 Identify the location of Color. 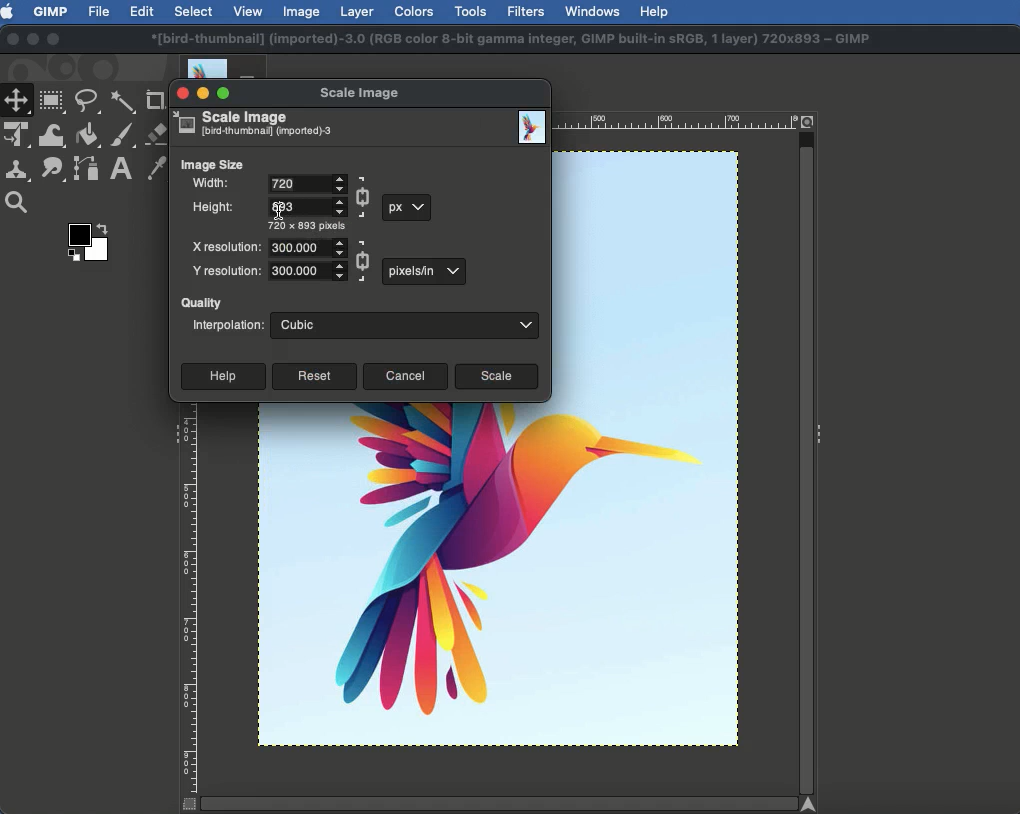
(84, 239).